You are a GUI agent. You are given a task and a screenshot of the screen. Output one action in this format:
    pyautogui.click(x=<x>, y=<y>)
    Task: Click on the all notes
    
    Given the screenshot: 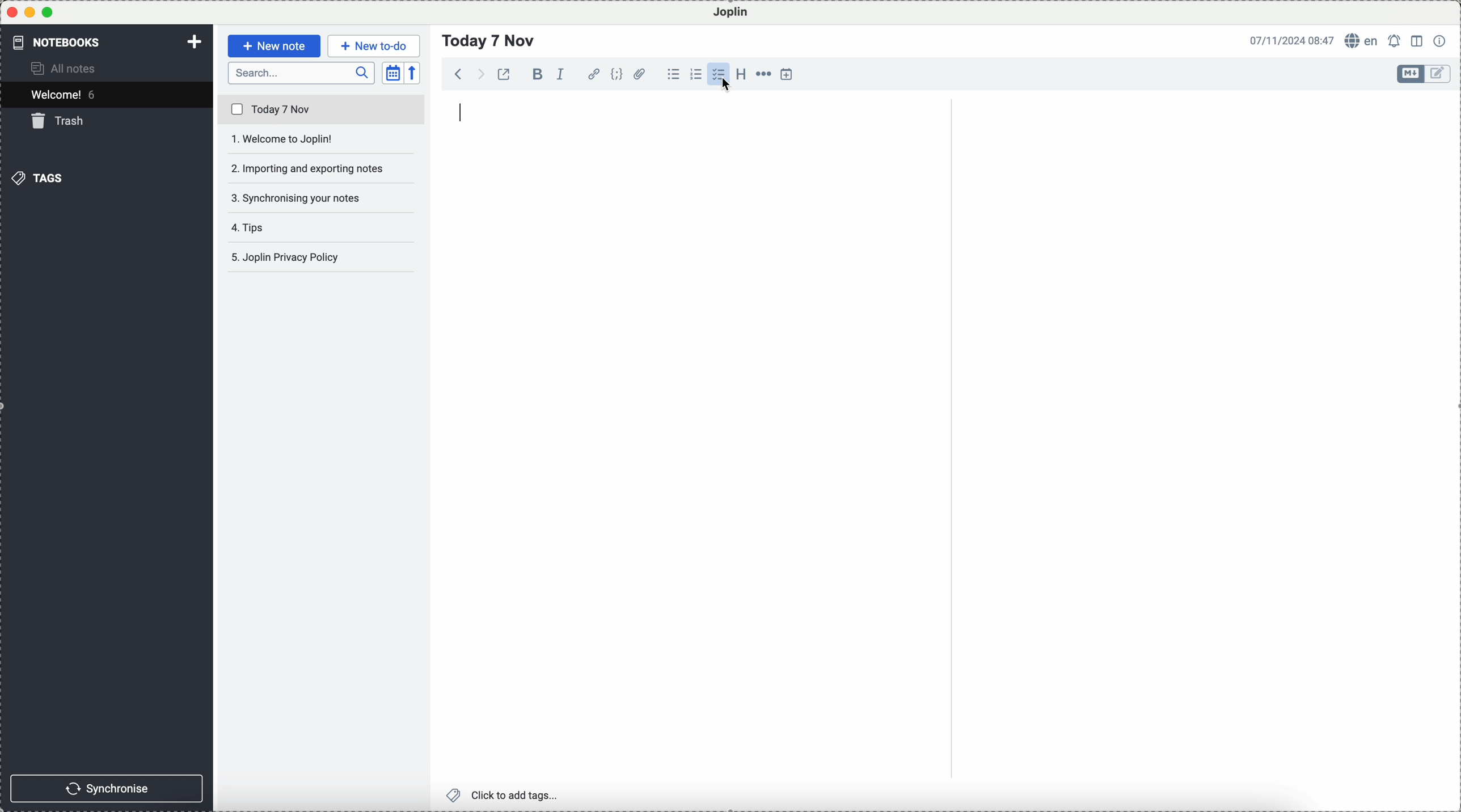 What is the action you would take?
    pyautogui.click(x=65, y=67)
    